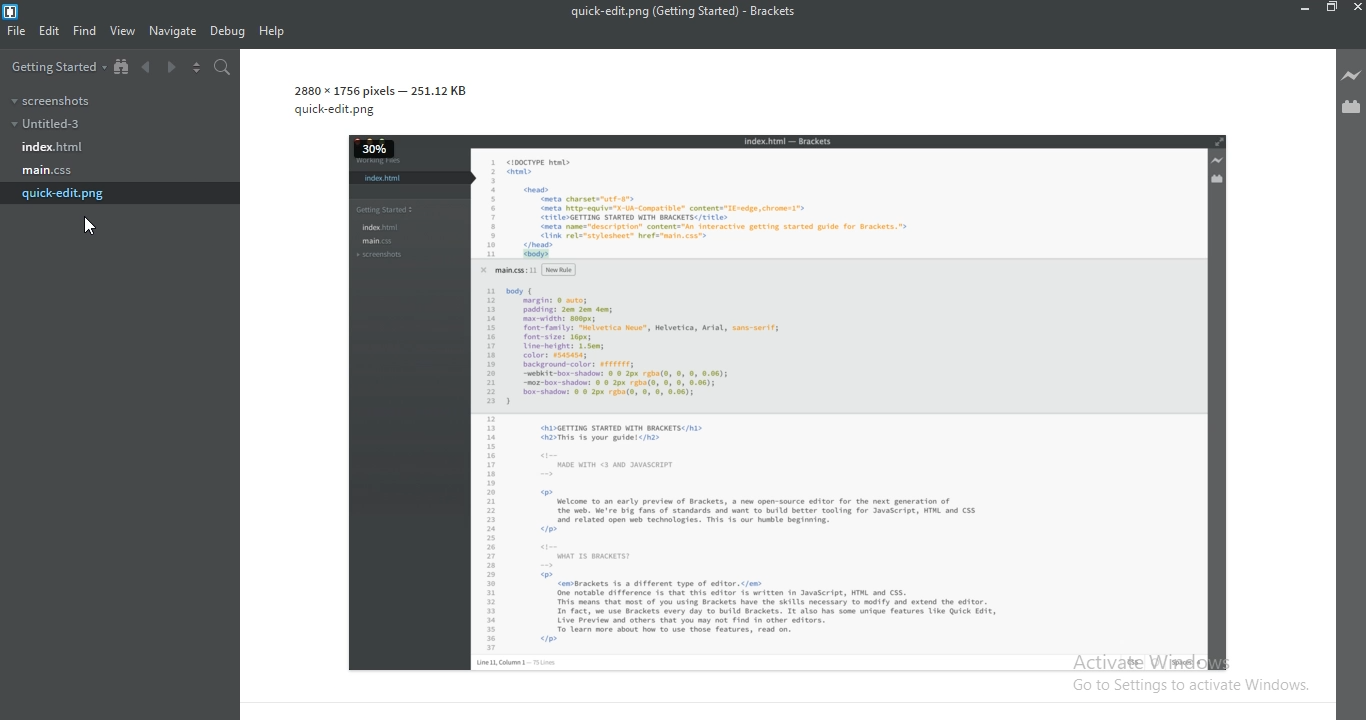 The height and width of the screenshot is (720, 1366). I want to click on show in file tree, so click(122, 67).